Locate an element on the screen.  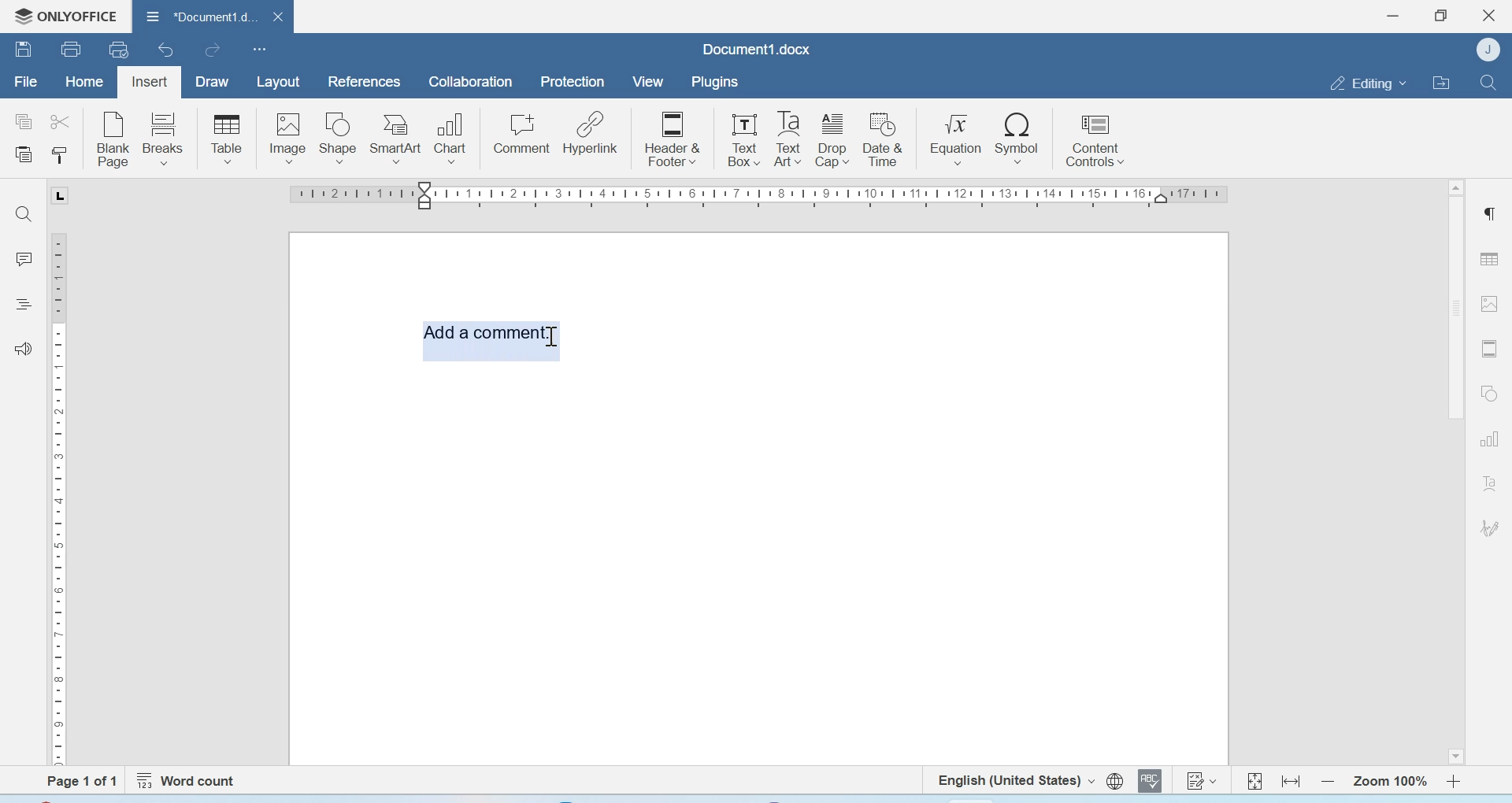
Insert is located at coordinates (149, 83).